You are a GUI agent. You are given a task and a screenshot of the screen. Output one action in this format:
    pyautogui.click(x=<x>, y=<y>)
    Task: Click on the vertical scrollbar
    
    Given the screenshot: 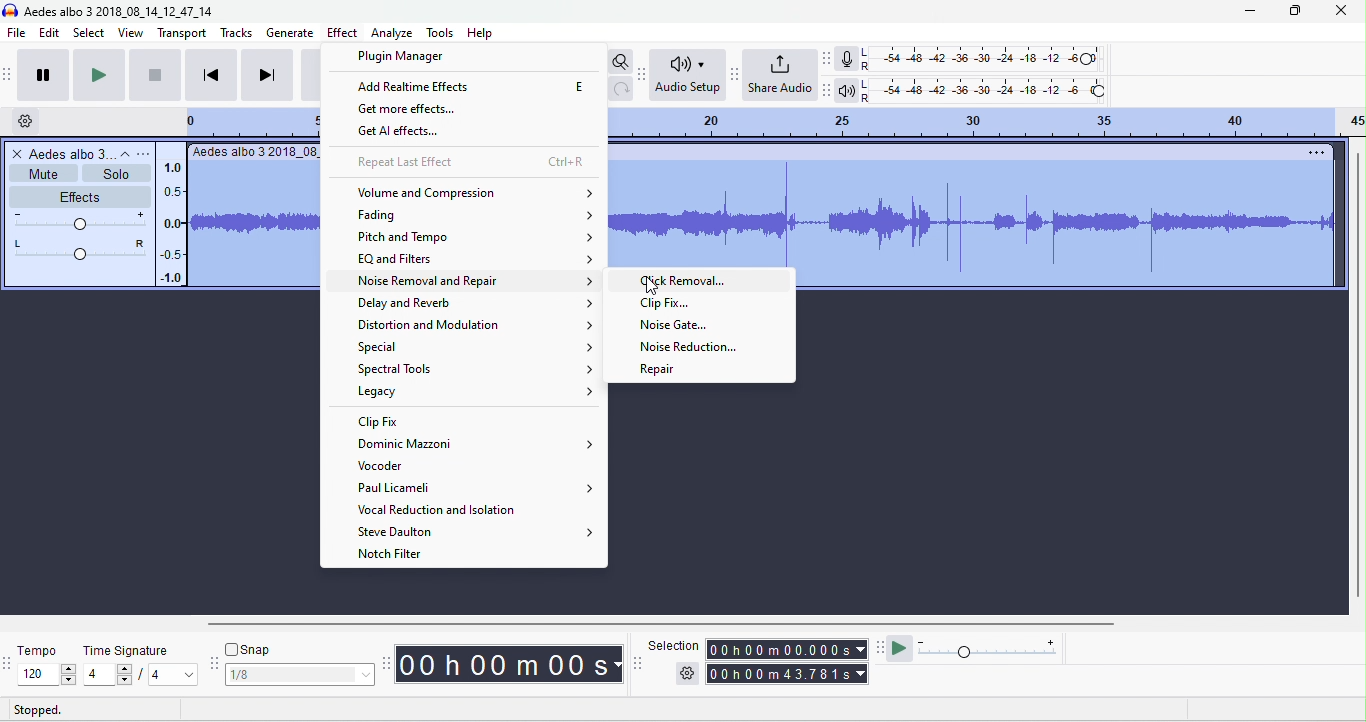 What is the action you would take?
    pyautogui.click(x=1357, y=374)
    